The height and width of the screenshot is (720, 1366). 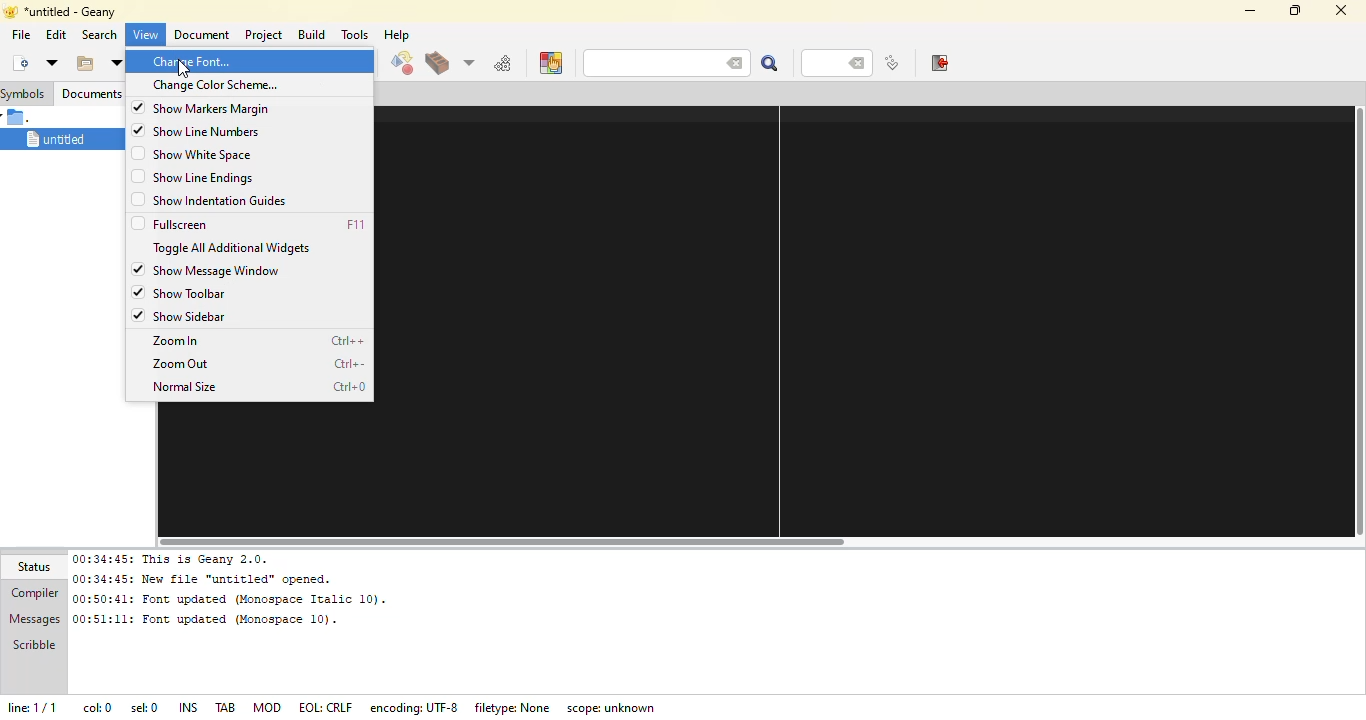 I want to click on build, so click(x=311, y=34).